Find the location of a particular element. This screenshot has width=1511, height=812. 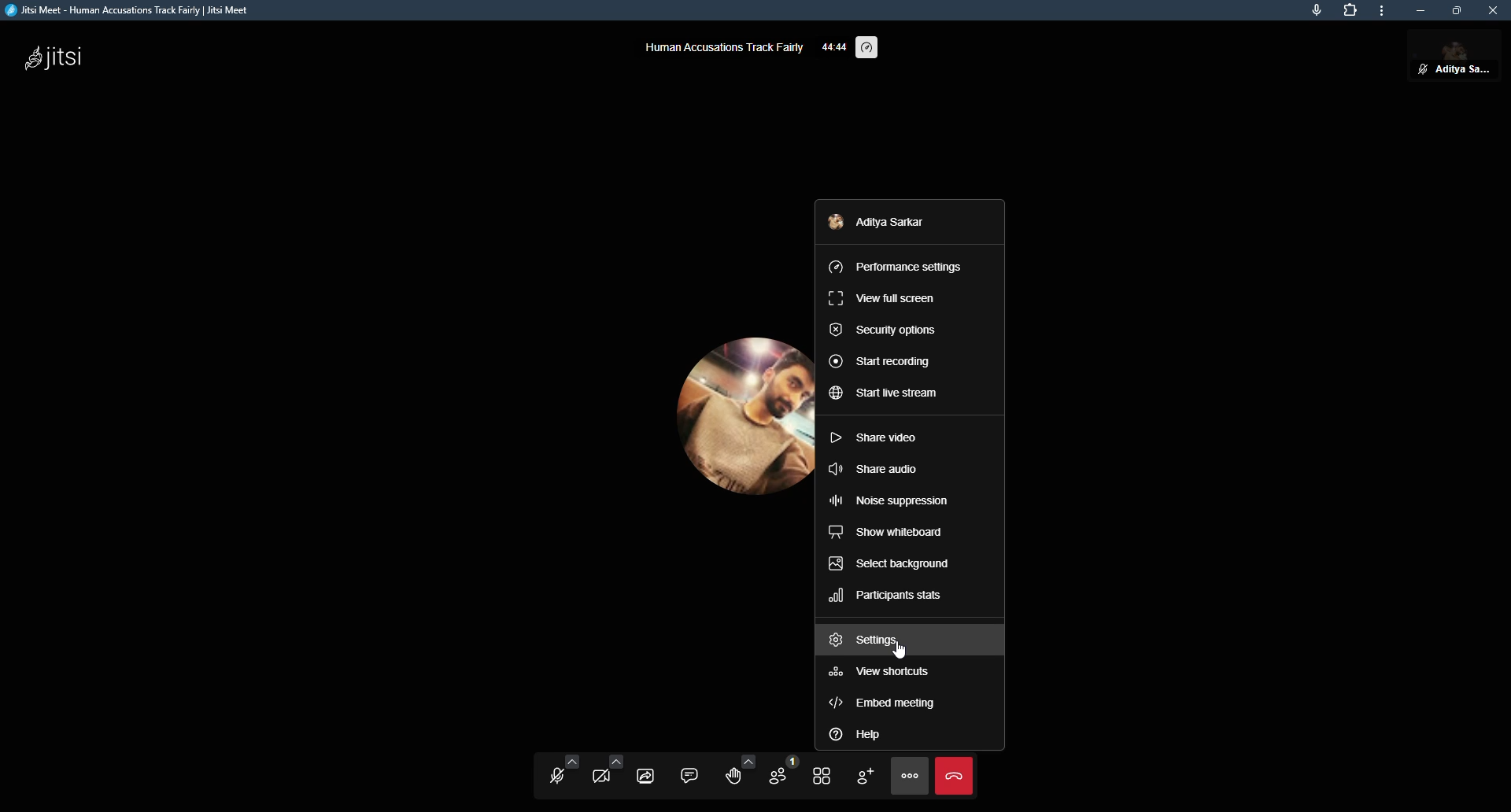

human accusations track fairly is located at coordinates (723, 46).